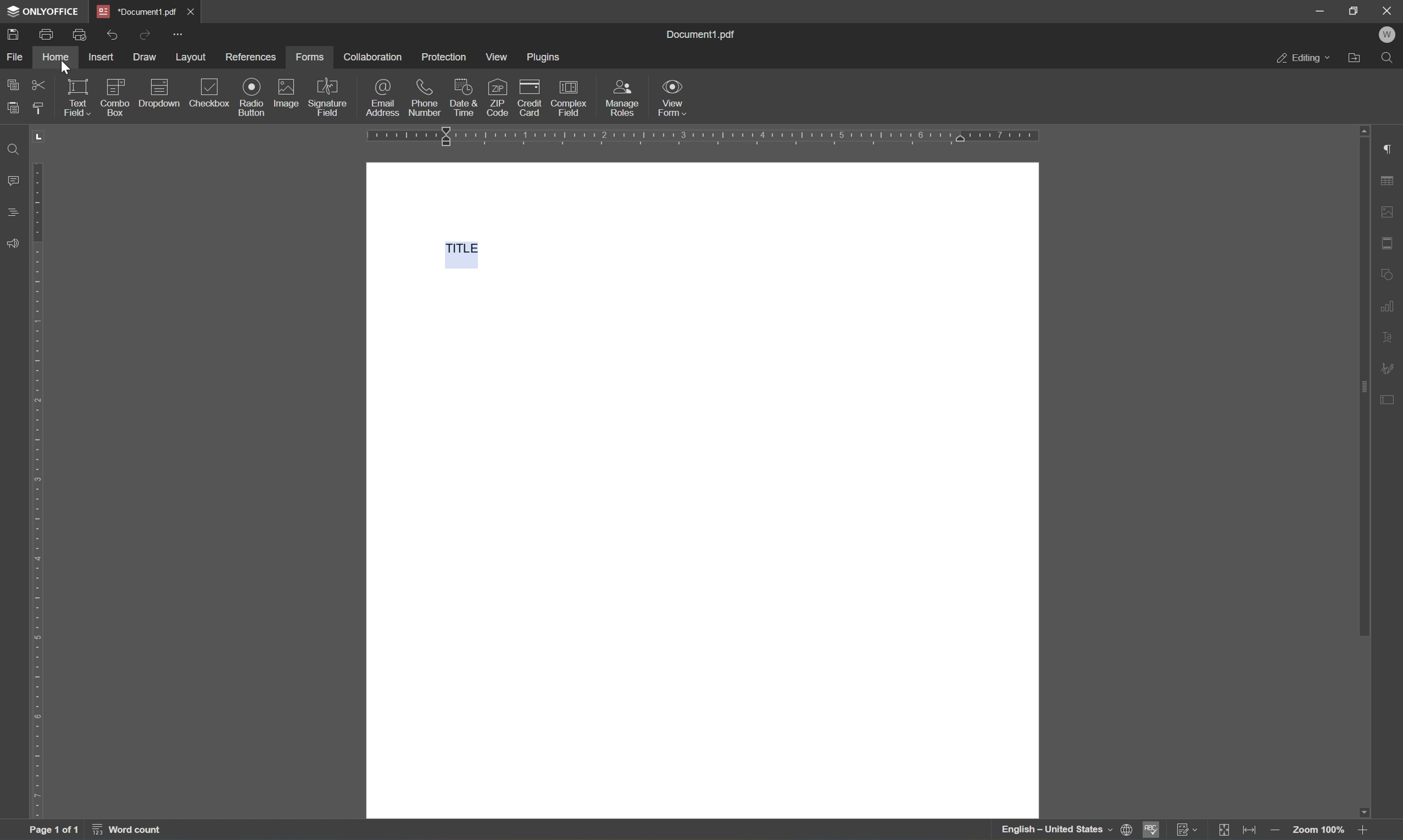 The height and width of the screenshot is (840, 1403). What do you see at coordinates (1392, 148) in the screenshot?
I see `paragraph settings` at bounding box center [1392, 148].